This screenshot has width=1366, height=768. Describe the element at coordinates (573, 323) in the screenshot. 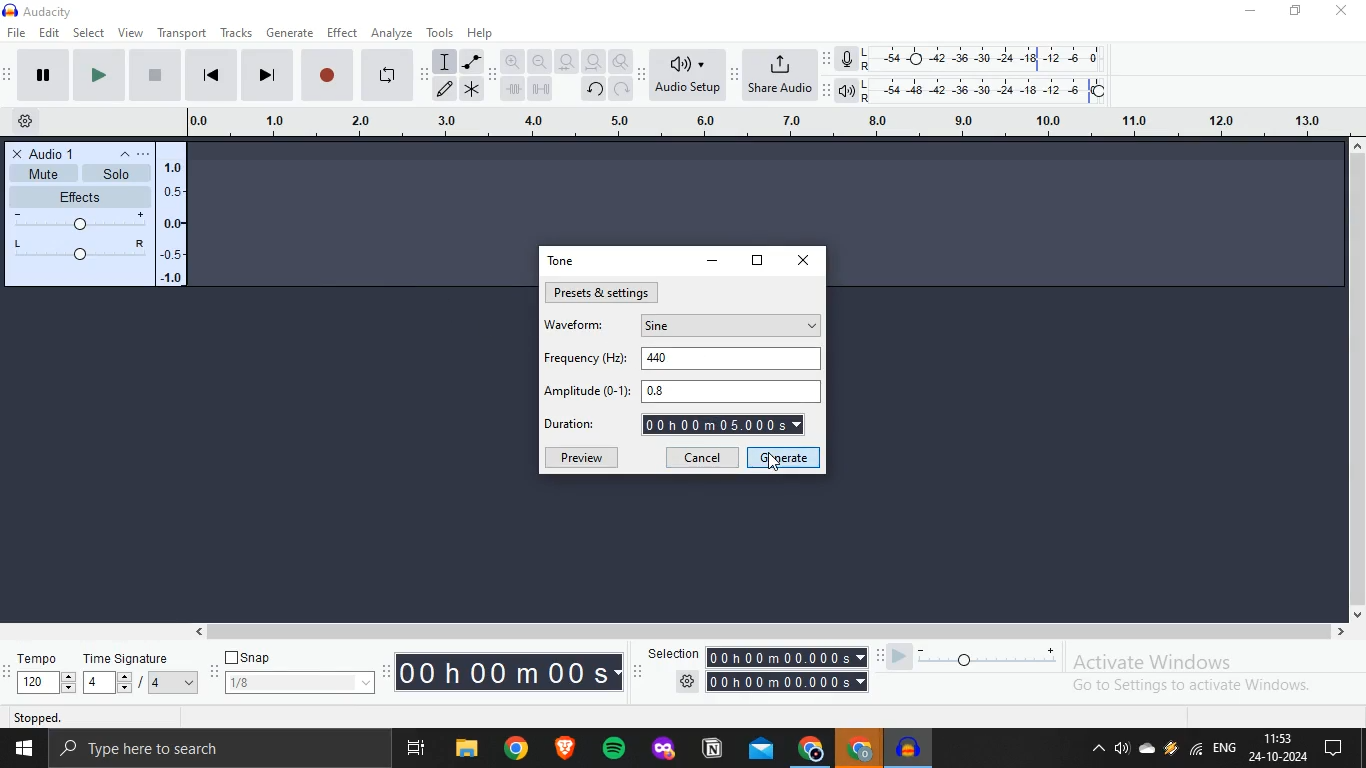

I see `Waveform` at that location.